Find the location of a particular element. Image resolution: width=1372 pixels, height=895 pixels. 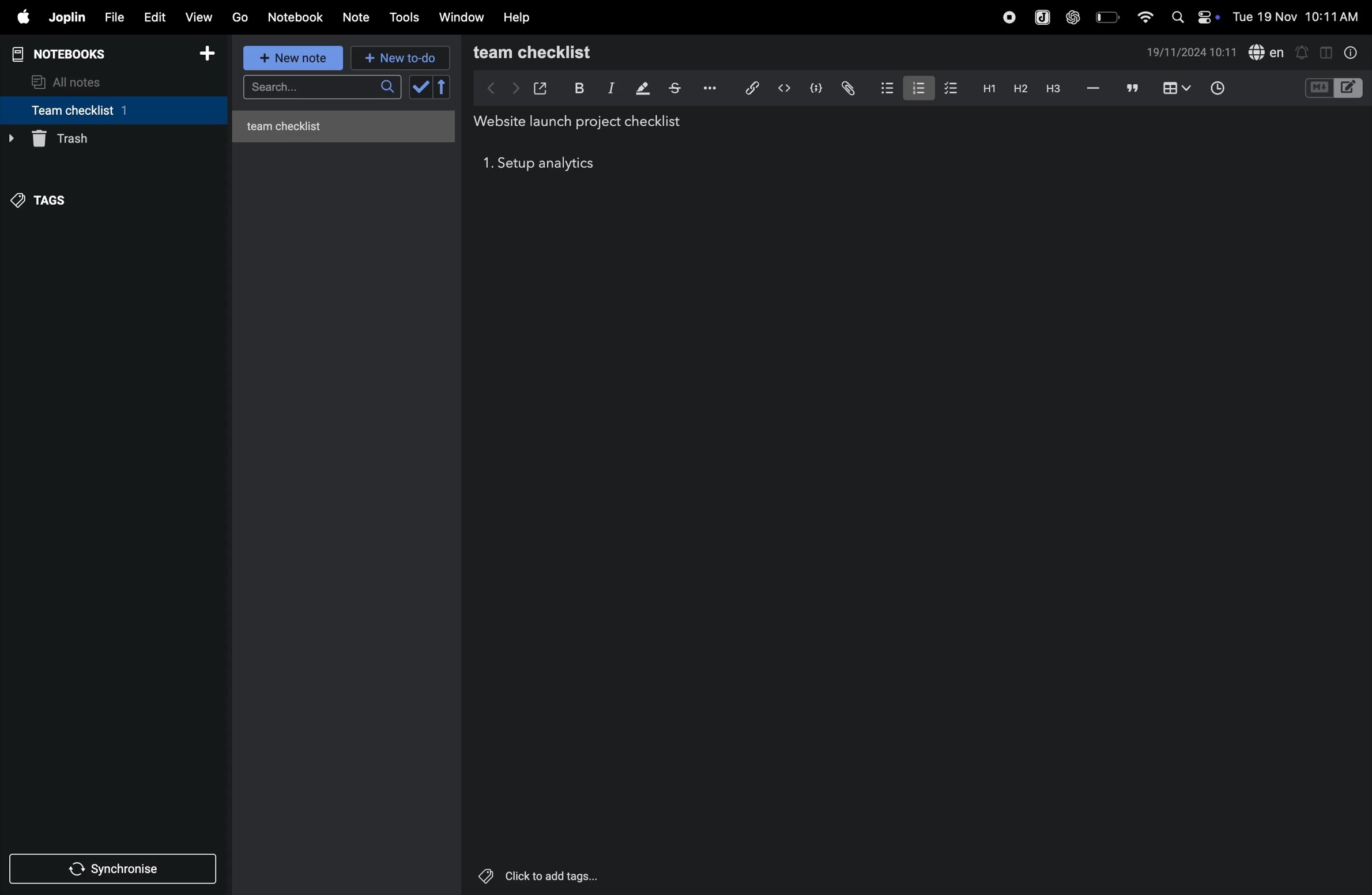

info is located at coordinates (1348, 52).